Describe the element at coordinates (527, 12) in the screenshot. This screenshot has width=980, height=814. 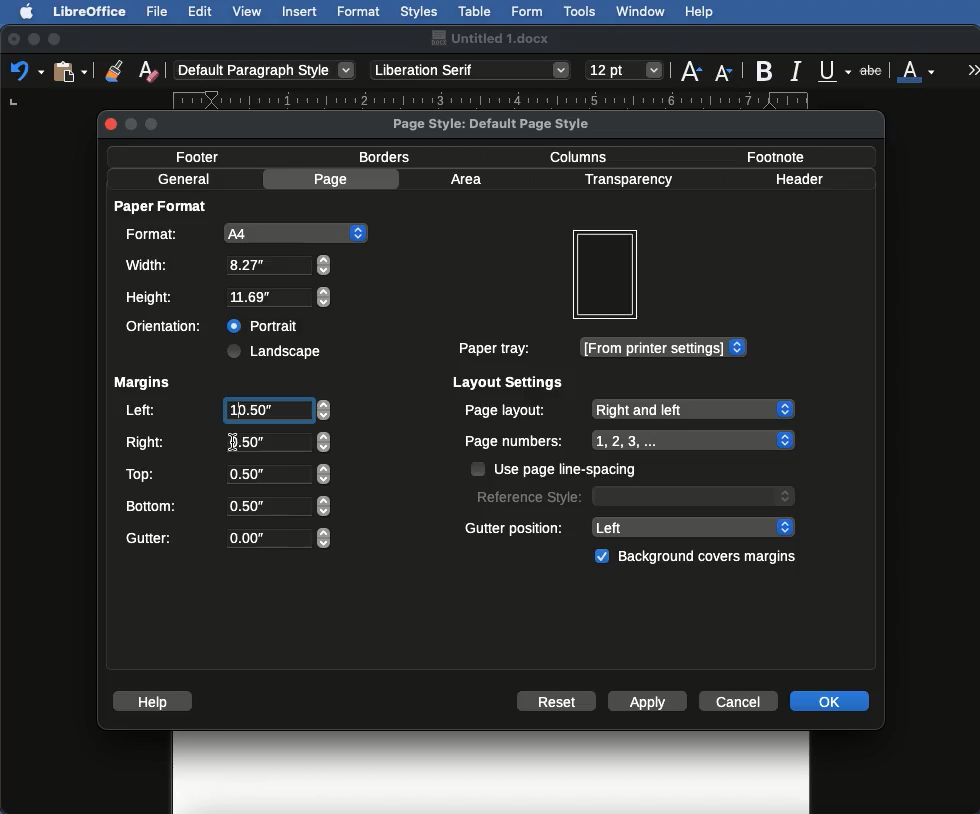
I see `Form` at that location.